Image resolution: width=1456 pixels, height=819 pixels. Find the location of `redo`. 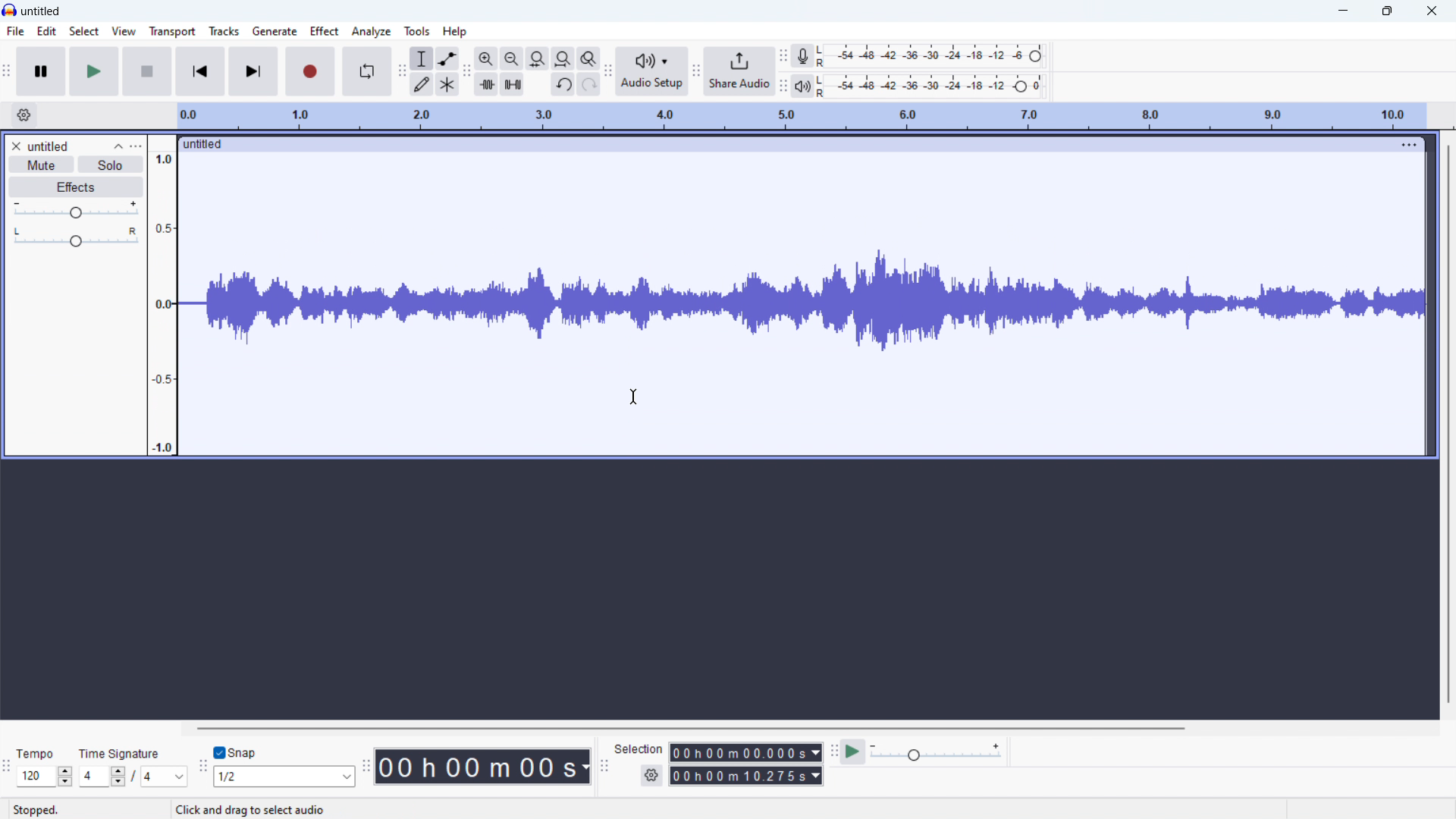

redo is located at coordinates (588, 84).